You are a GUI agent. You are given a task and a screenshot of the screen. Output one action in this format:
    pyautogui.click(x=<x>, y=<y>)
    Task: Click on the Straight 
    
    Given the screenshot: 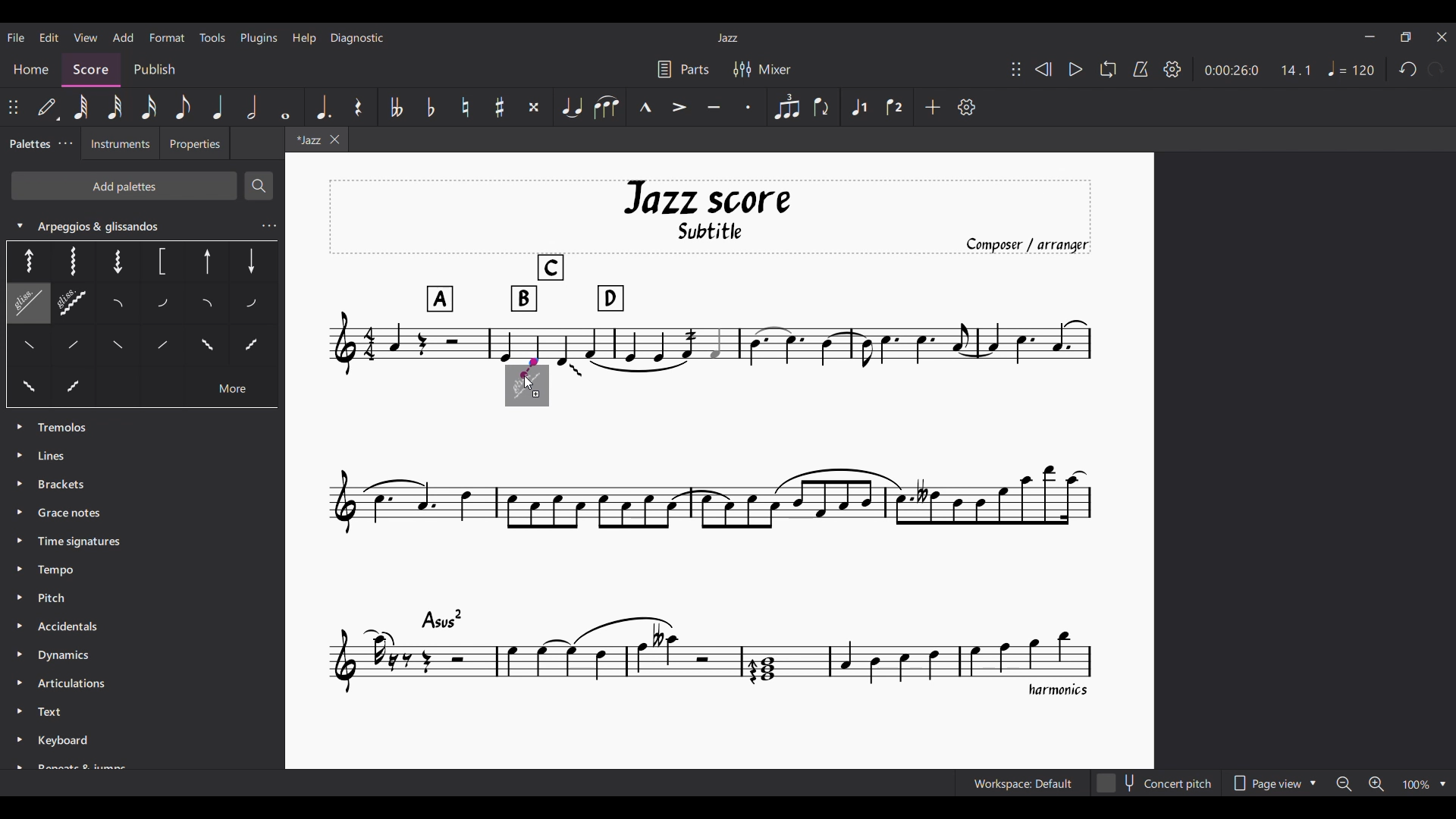 What is the action you would take?
    pyautogui.click(x=31, y=350)
    